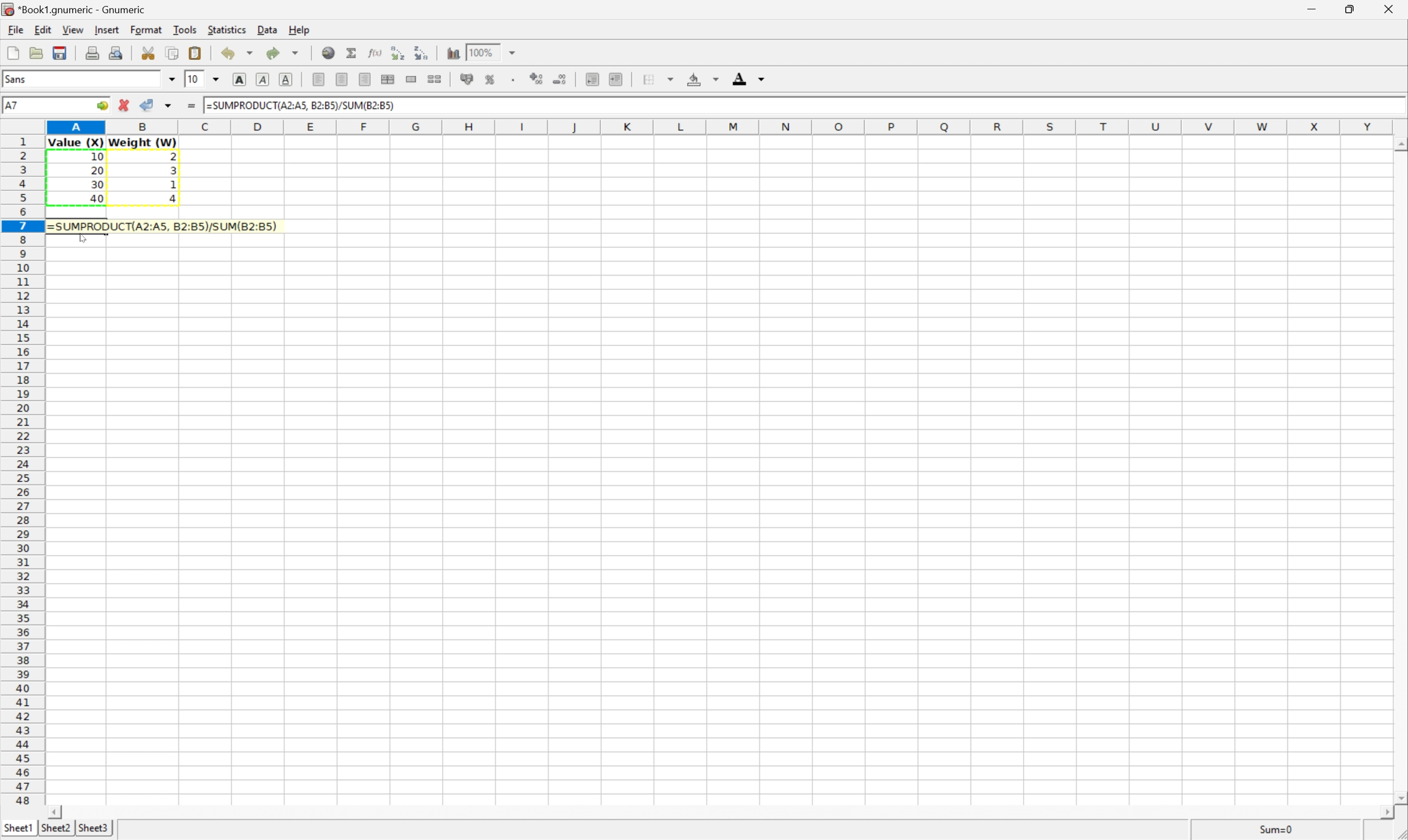 Image resolution: width=1408 pixels, height=840 pixels. I want to click on Increase indent, and align the contents to the left, so click(592, 79).